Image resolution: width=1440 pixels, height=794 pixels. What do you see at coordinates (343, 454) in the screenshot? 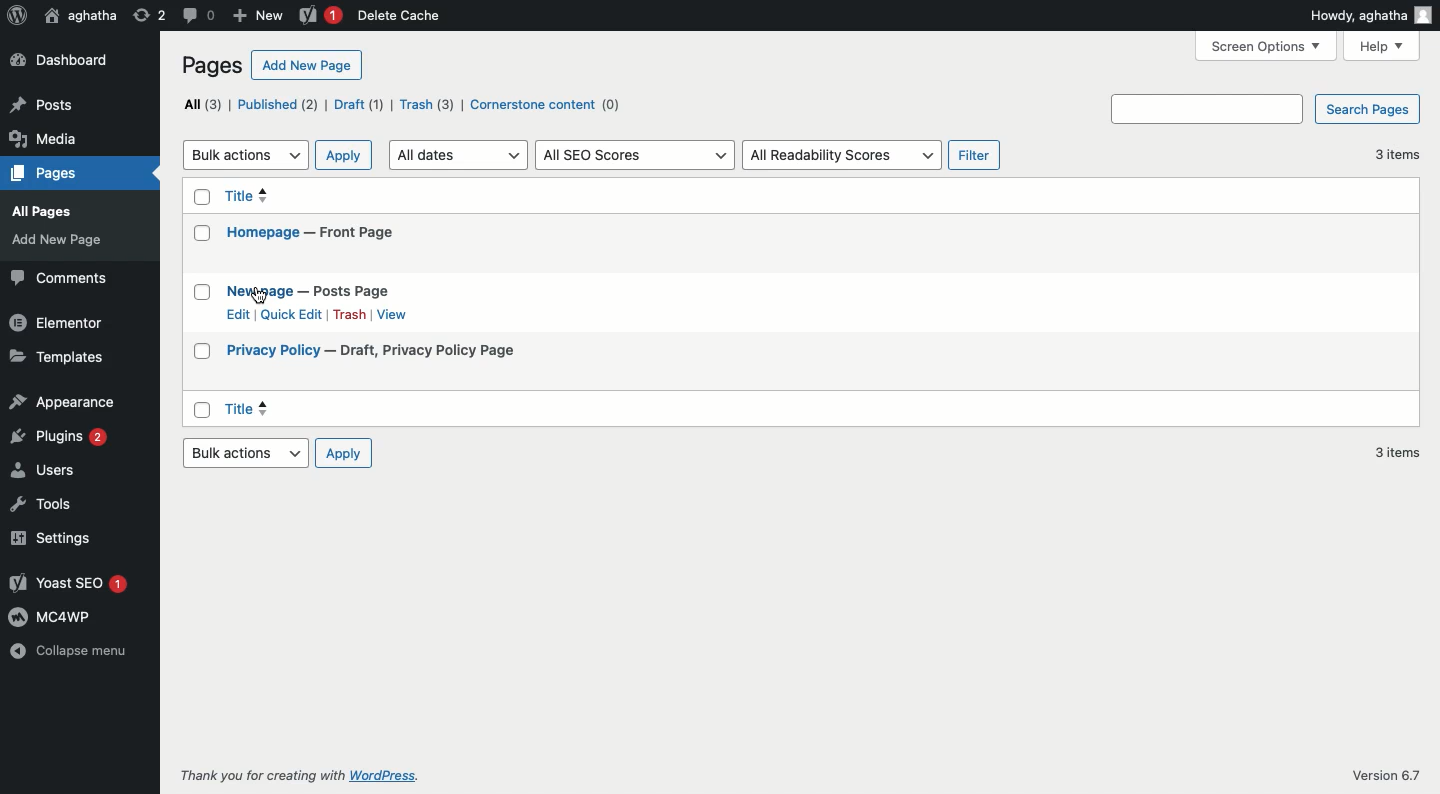
I see `Apply` at bounding box center [343, 454].